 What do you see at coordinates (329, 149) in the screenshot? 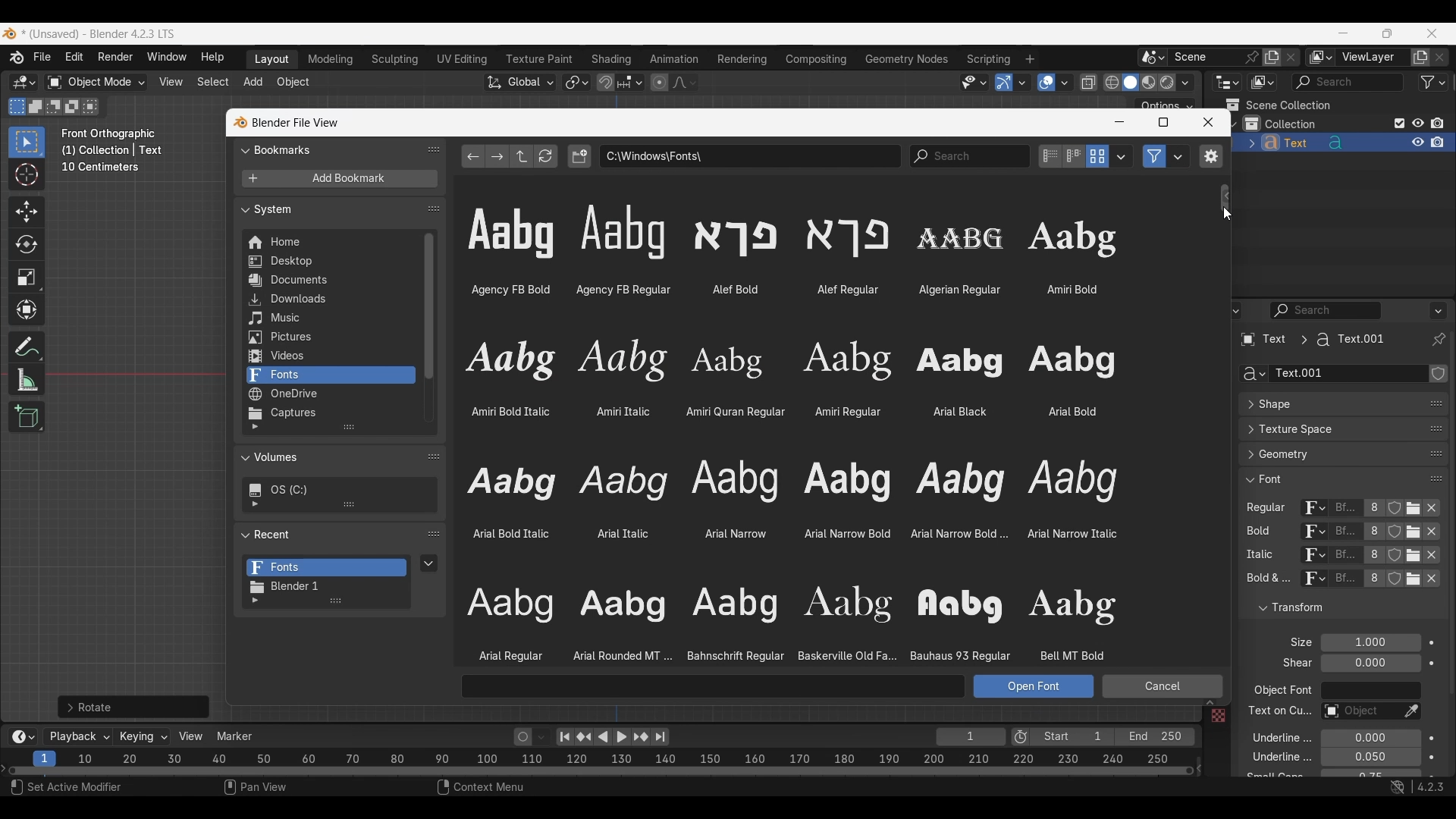
I see `Collapse Bookmarks` at bounding box center [329, 149].